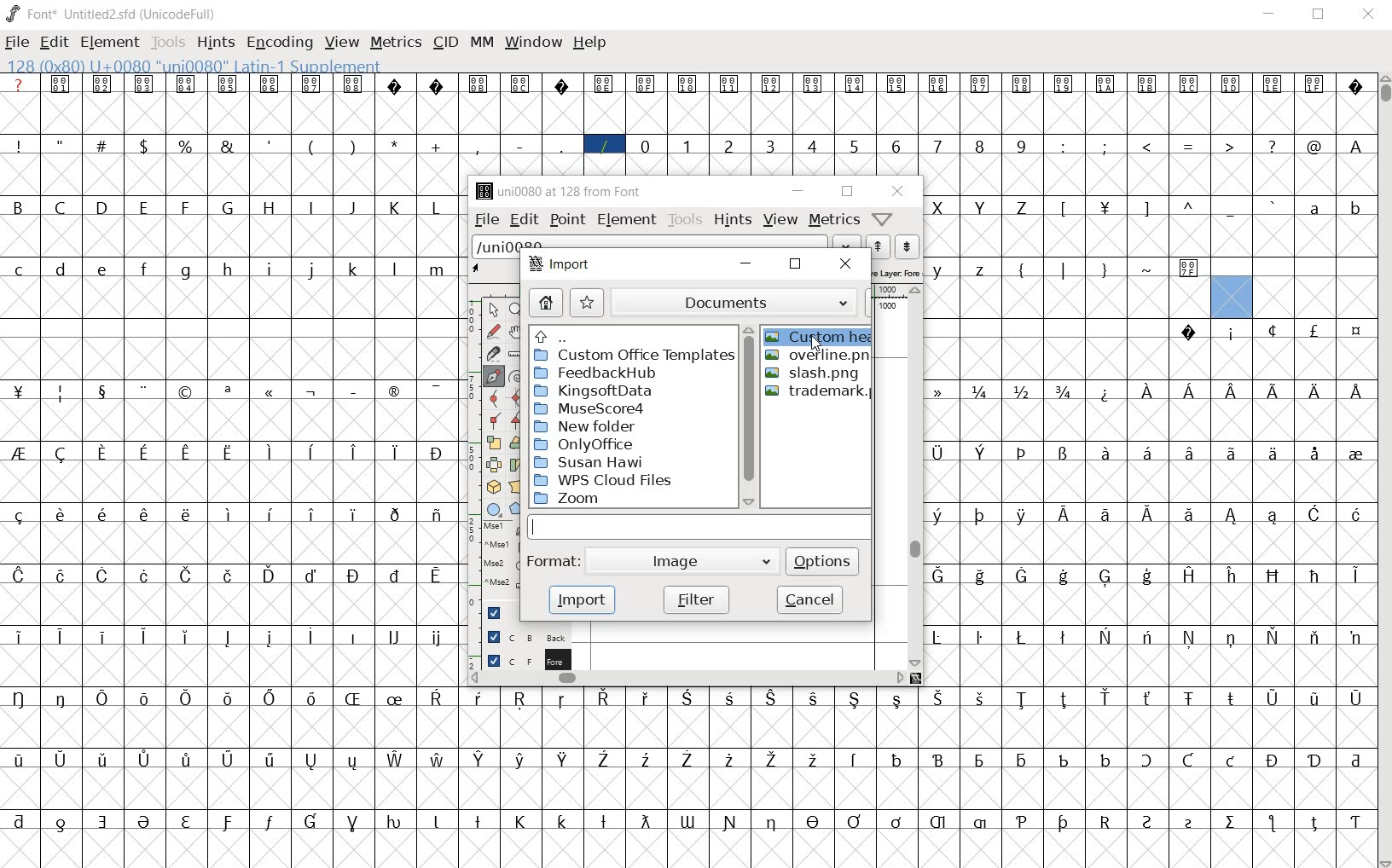 This screenshot has width=1392, height=868. I want to click on glyph, so click(354, 452).